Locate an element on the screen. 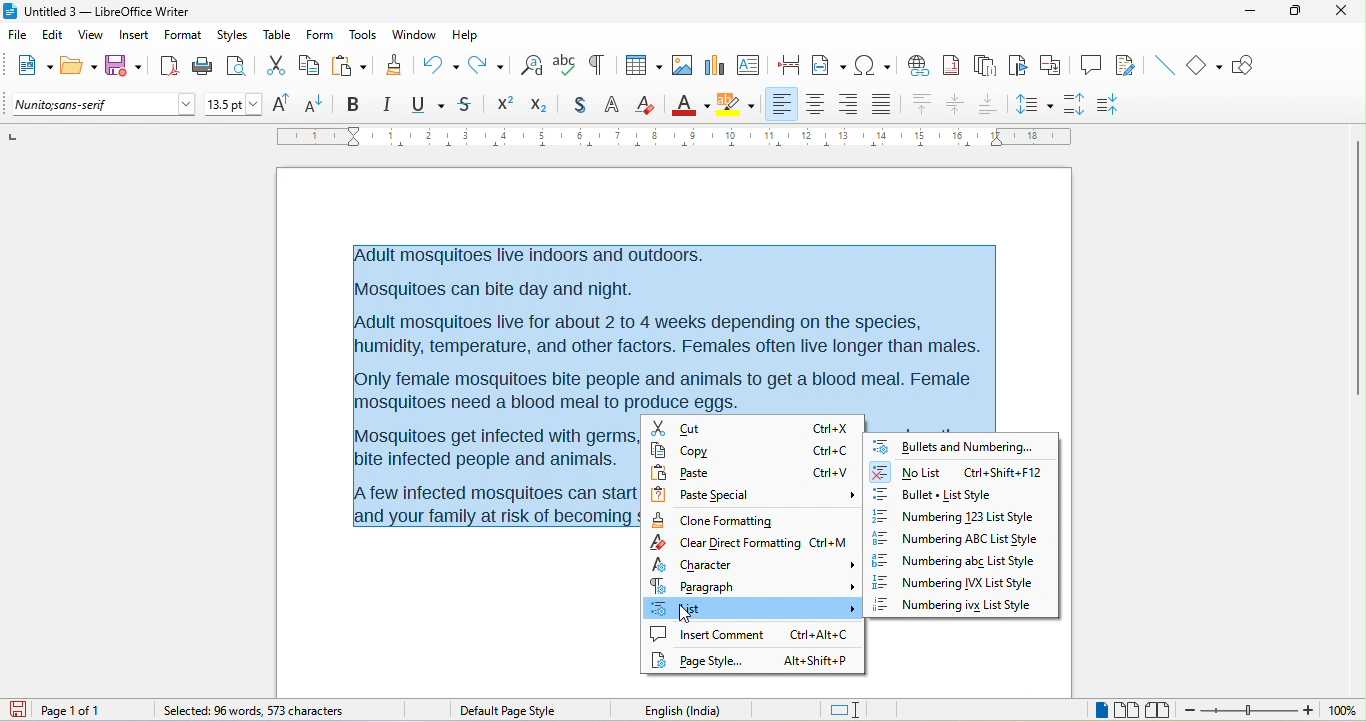  page break is located at coordinates (792, 67).